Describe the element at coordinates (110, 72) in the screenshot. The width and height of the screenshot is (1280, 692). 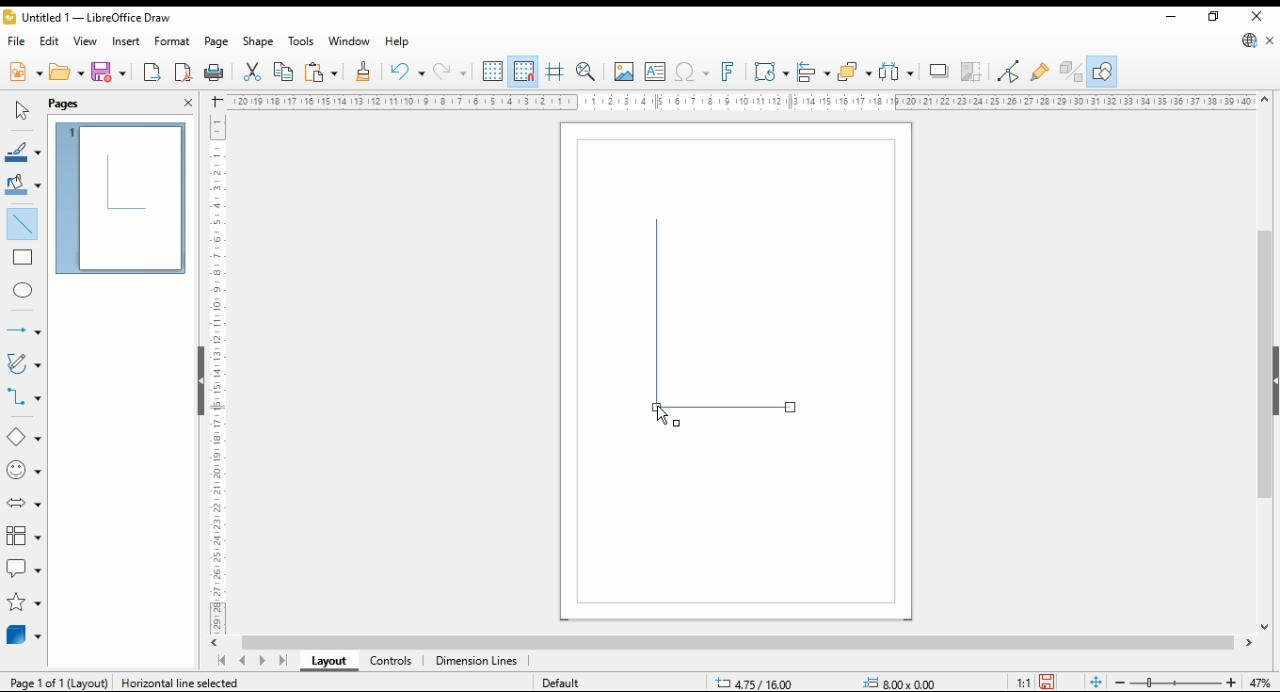
I see `save` at that location.